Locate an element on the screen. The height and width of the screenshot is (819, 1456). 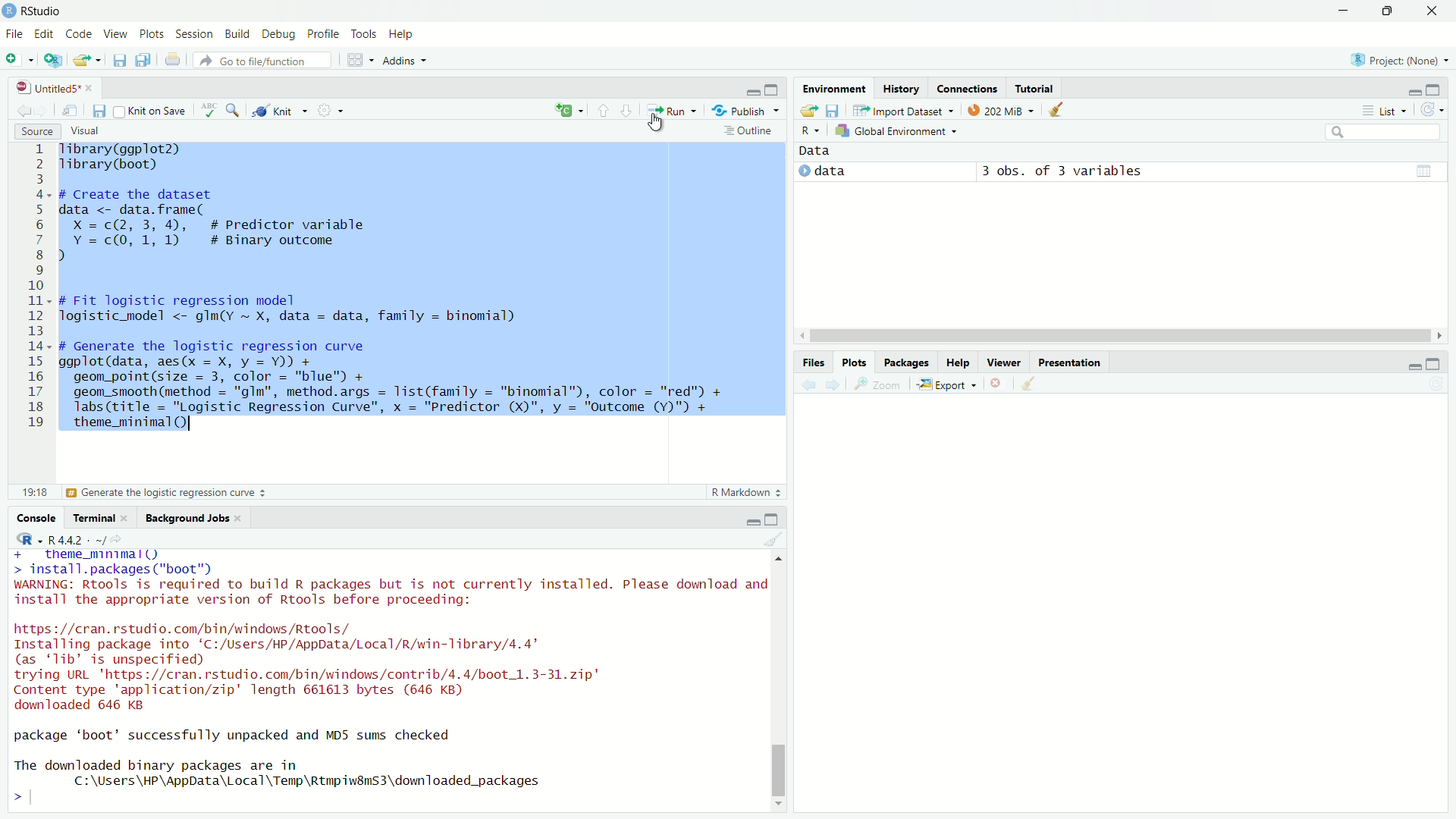
Knit is located at coordinates (280, 110).